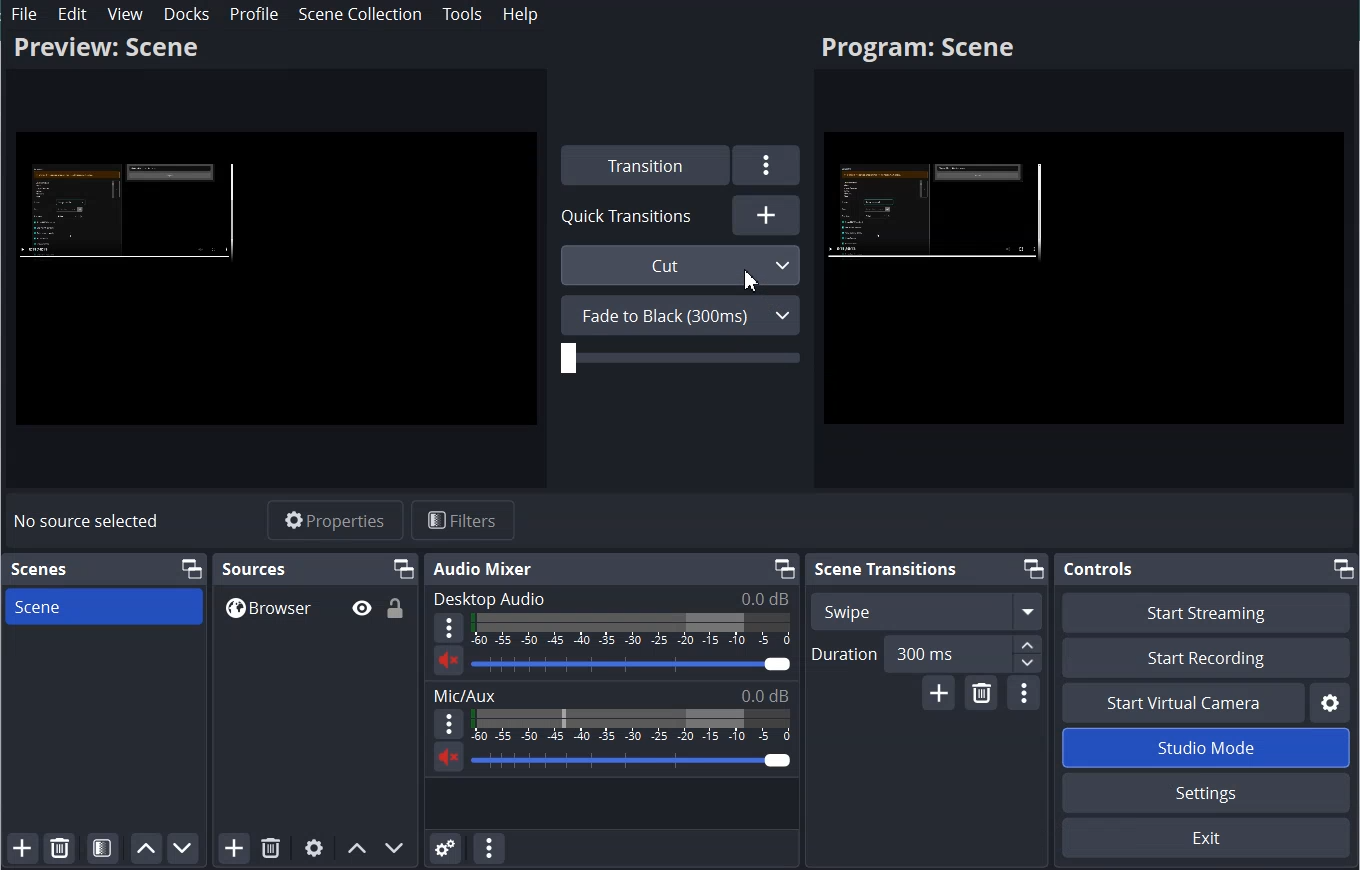 The height and width of the screenshot is (870, 1360). Describe the element at coordinates (183, 849) in the screenshot. I see `Move Scene down` at that location.